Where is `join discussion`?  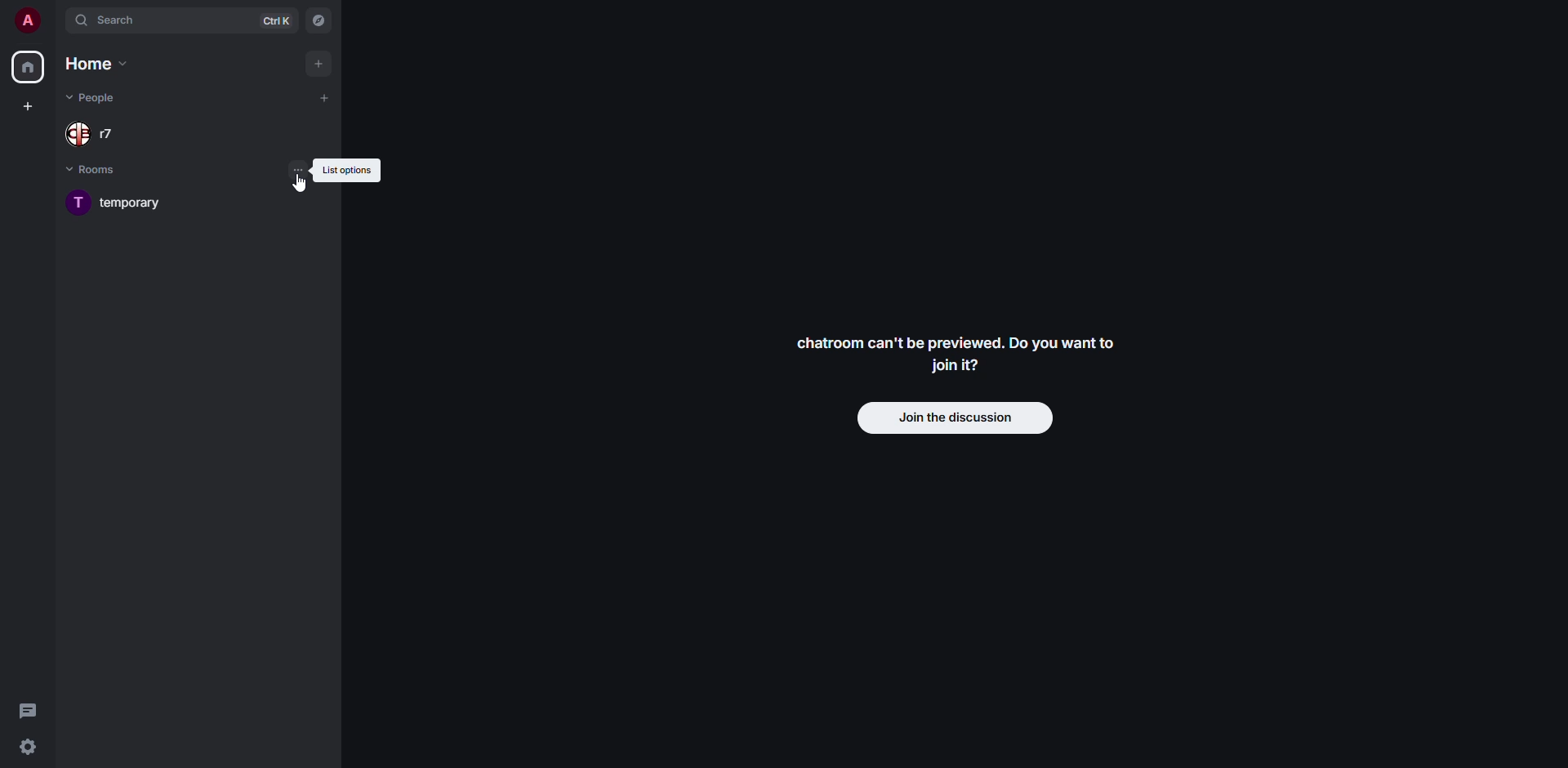
join discussion is located at coordinates (955, 417).